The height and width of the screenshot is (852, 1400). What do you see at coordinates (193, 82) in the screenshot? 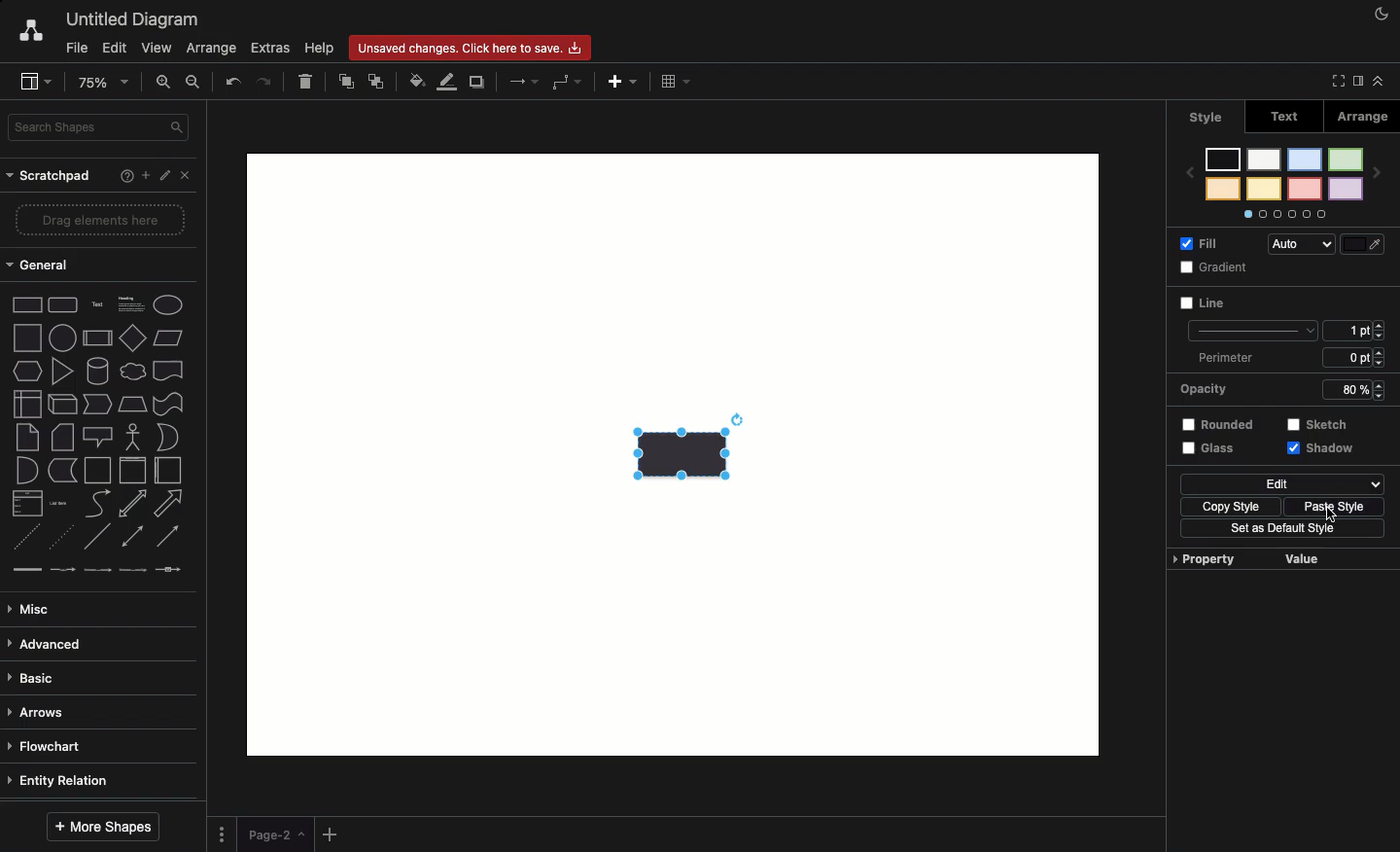
I see `Zoom out` at bounding box center [193, 82].